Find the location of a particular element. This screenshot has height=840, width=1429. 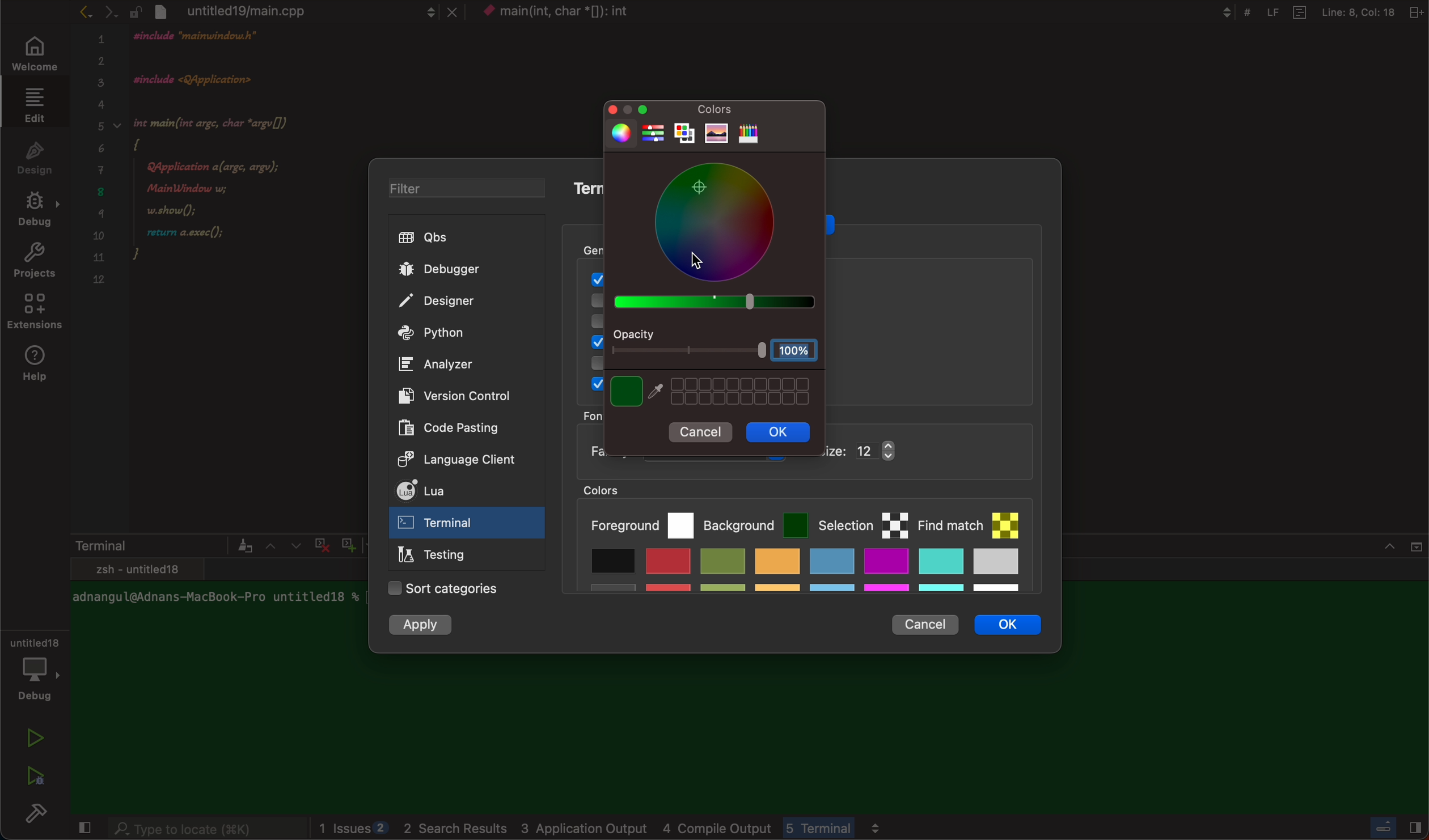

logs is located at coordinates (674, 829).